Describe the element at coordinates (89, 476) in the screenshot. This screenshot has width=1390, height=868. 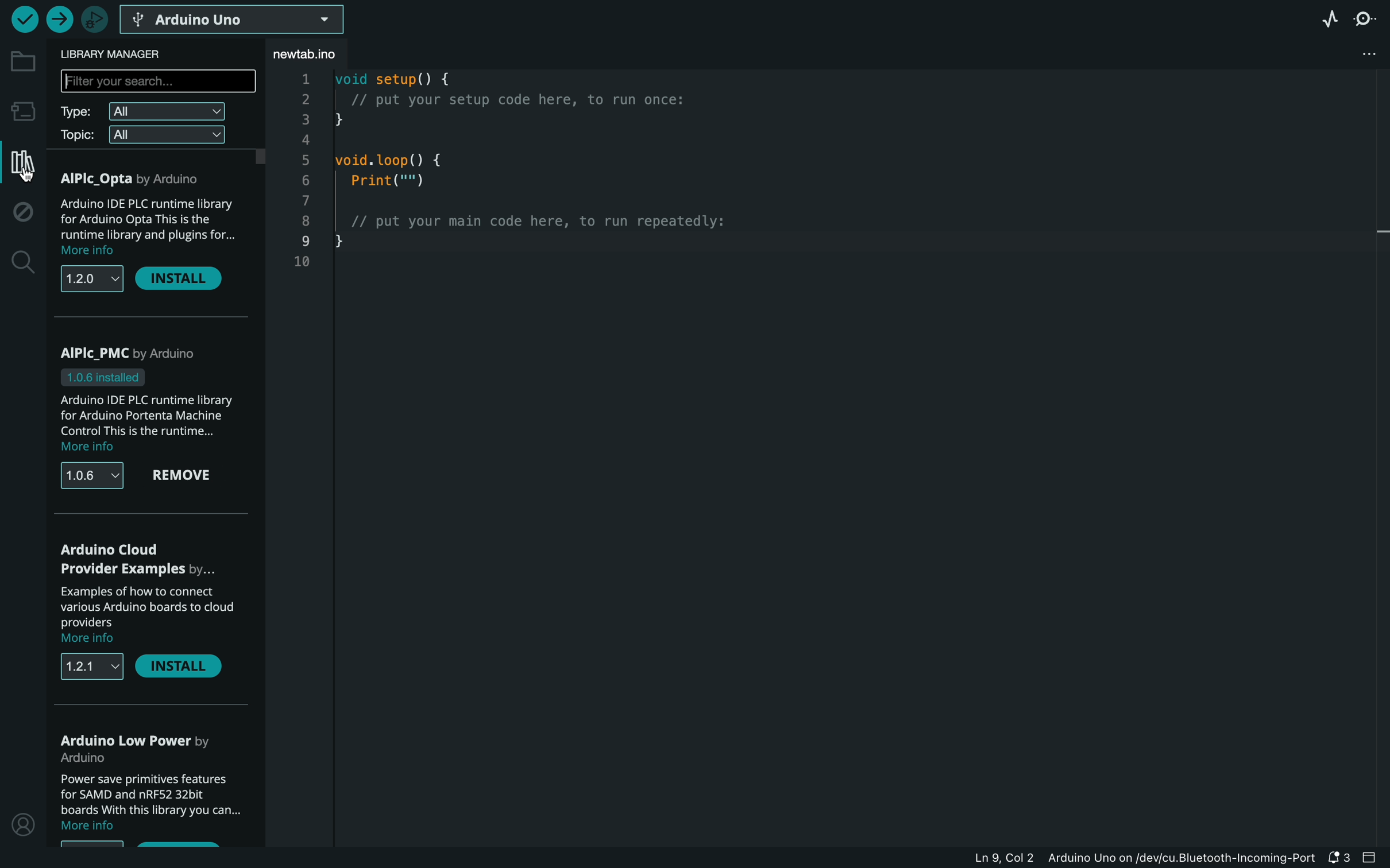
I see `versions` at that location.